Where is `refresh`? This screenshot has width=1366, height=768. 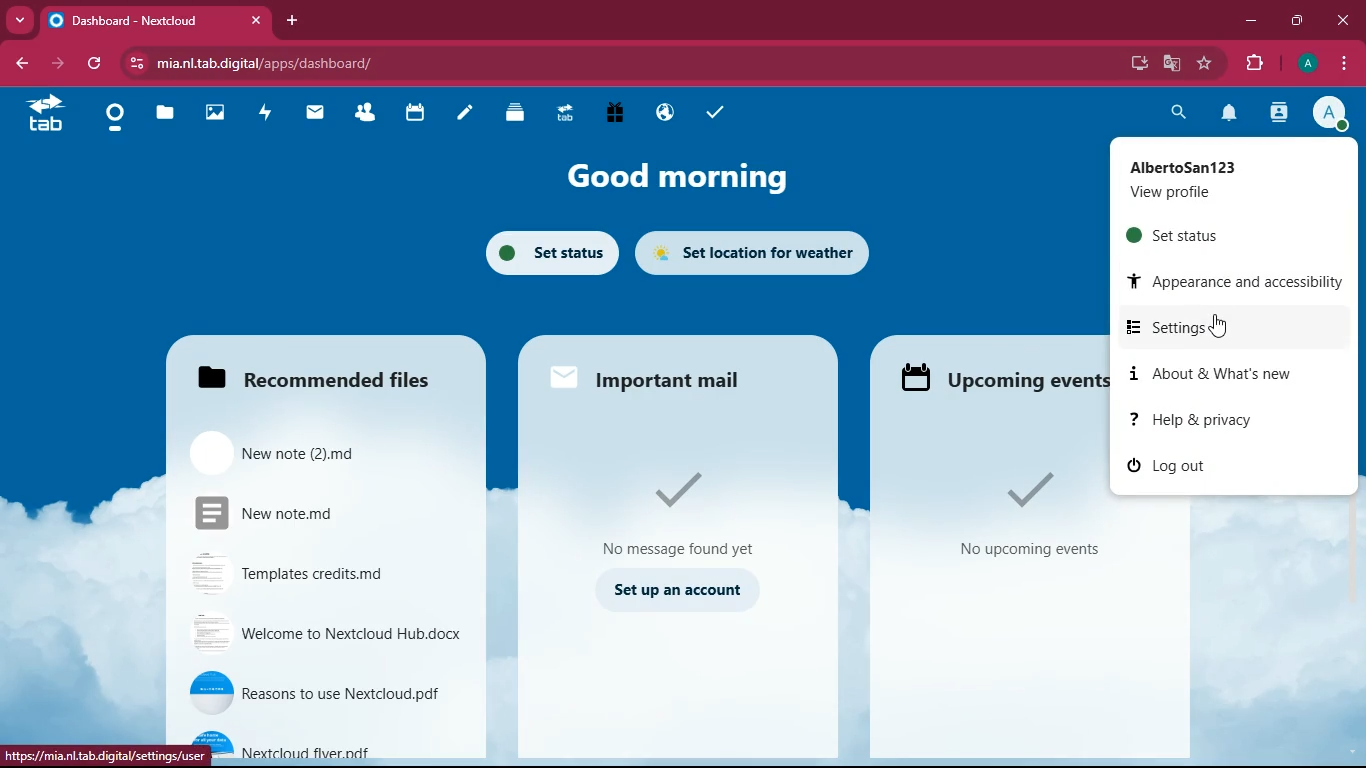 refresh is located at coordinates (95, 65).